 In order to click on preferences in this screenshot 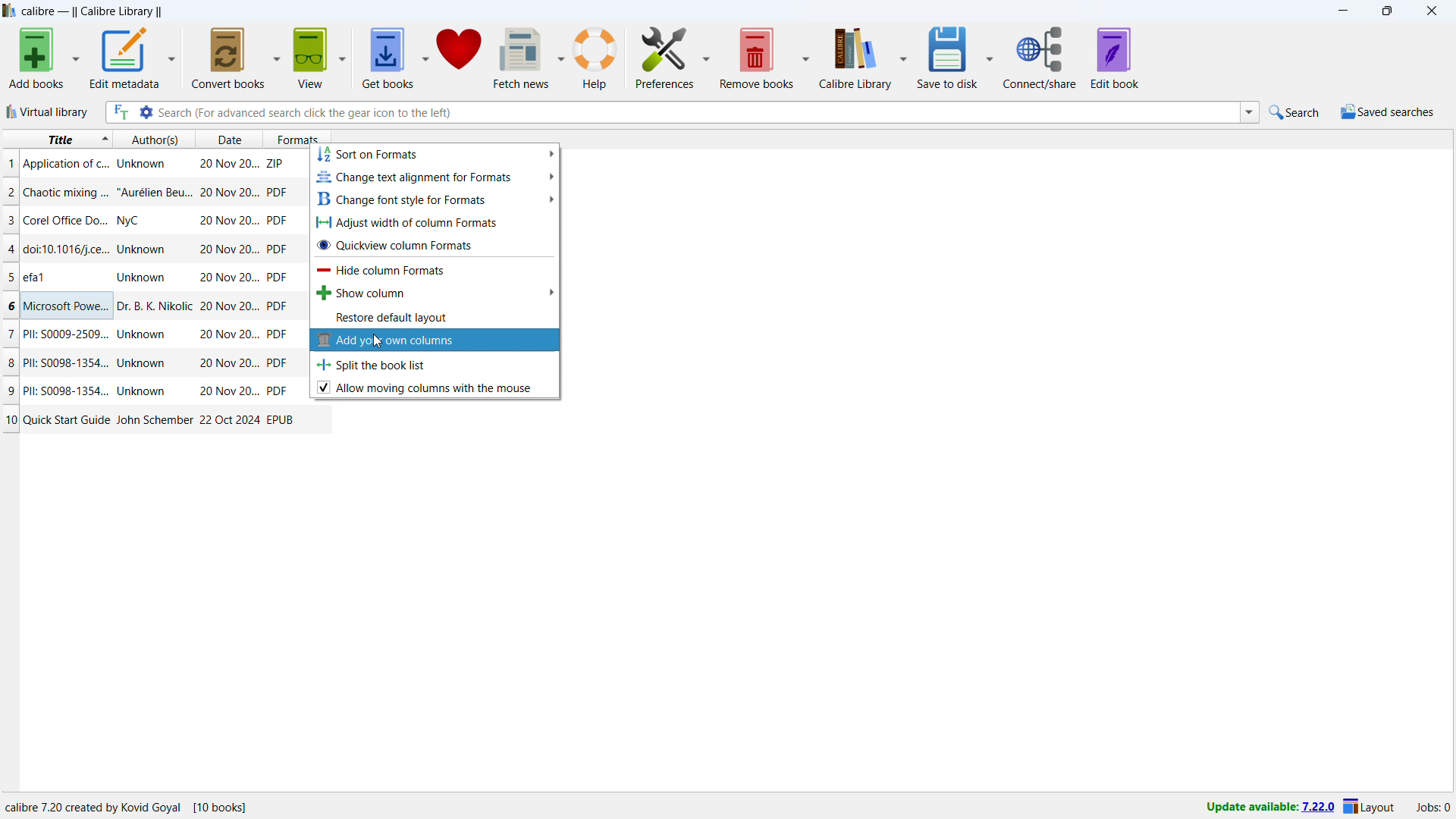, I will do `click(664, 58)`.